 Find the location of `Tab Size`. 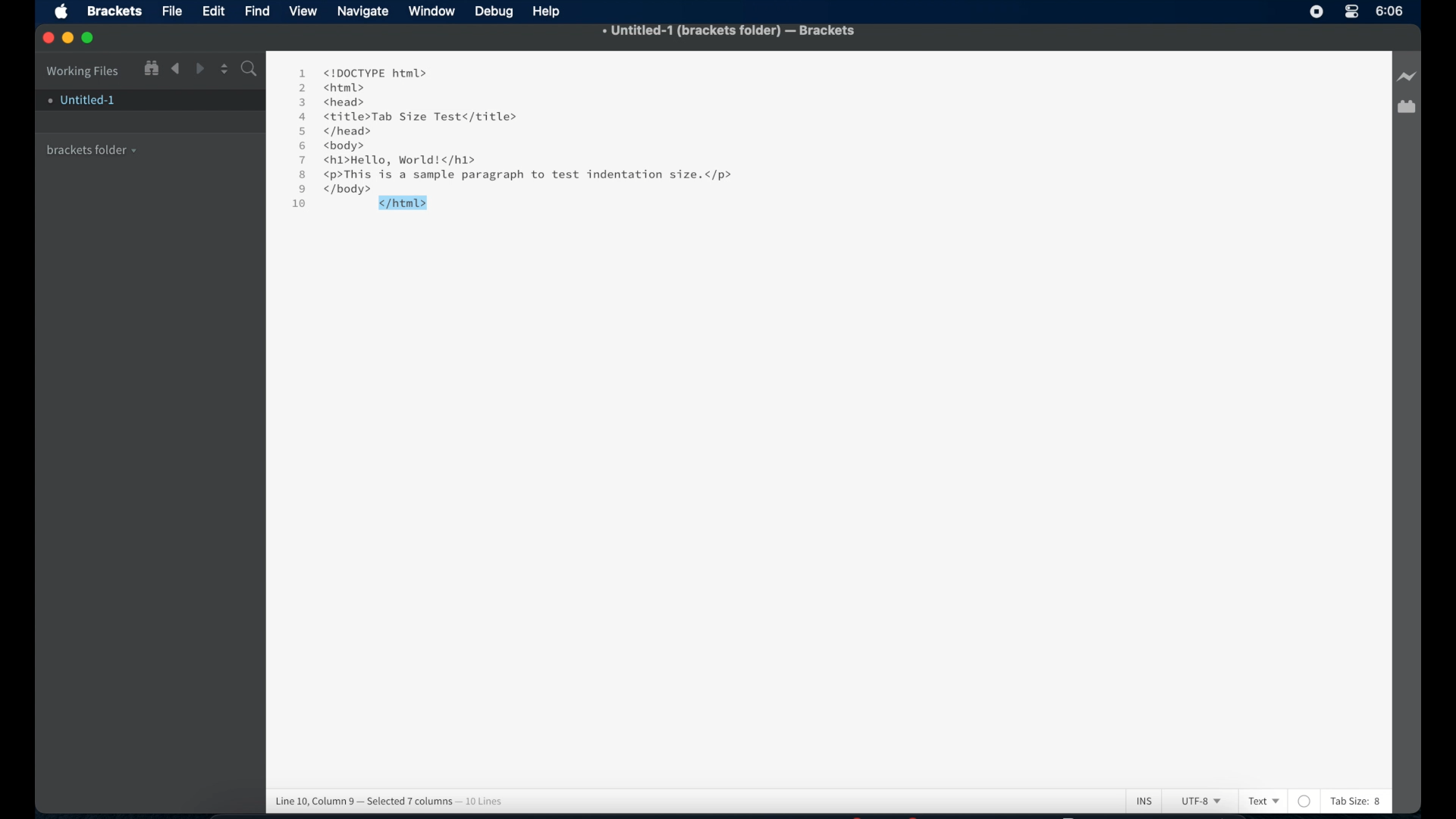

Tab Size is located at coordinates (1348, 801).